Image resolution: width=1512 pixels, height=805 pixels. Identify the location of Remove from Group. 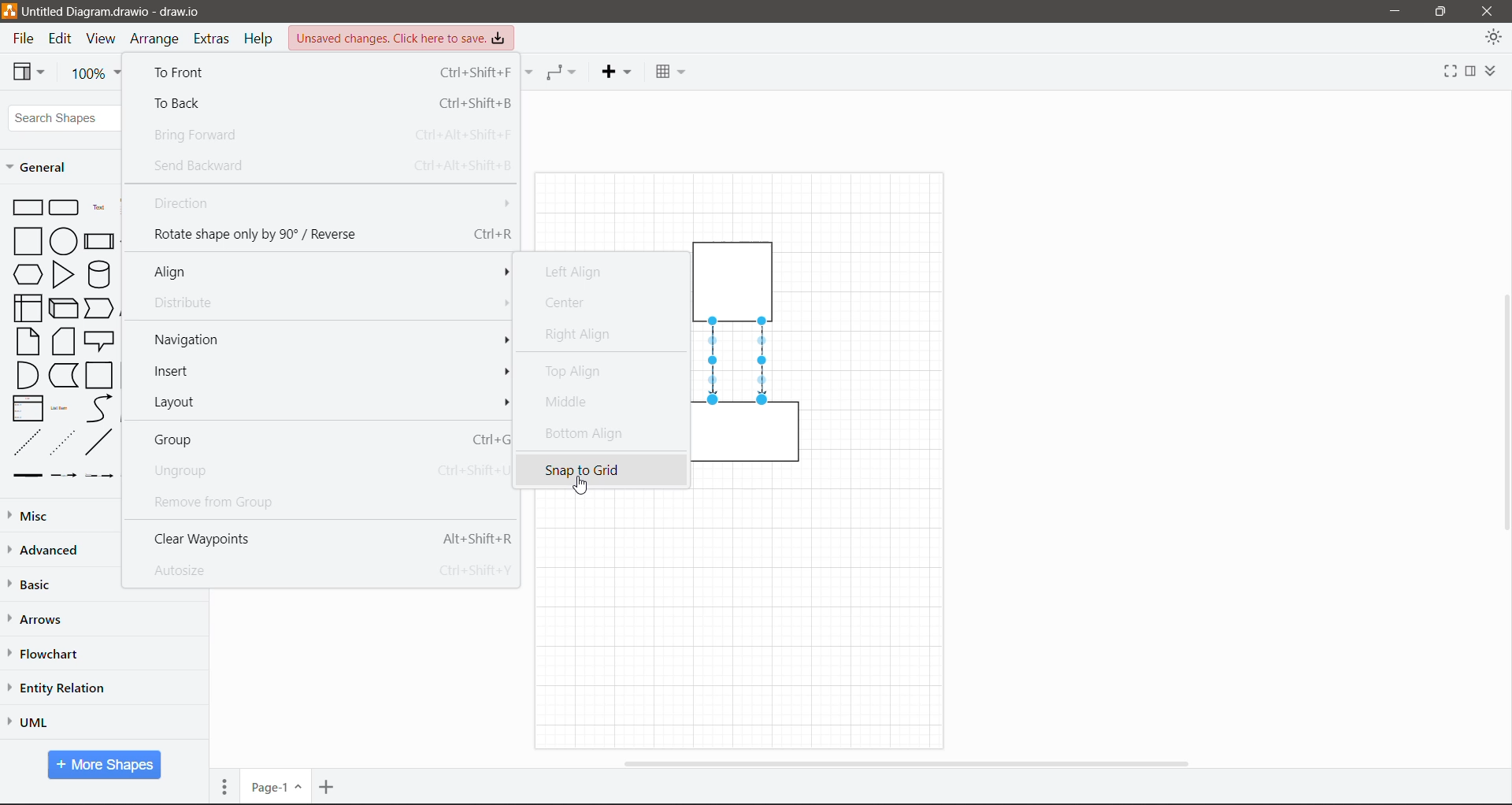
(263, 501).